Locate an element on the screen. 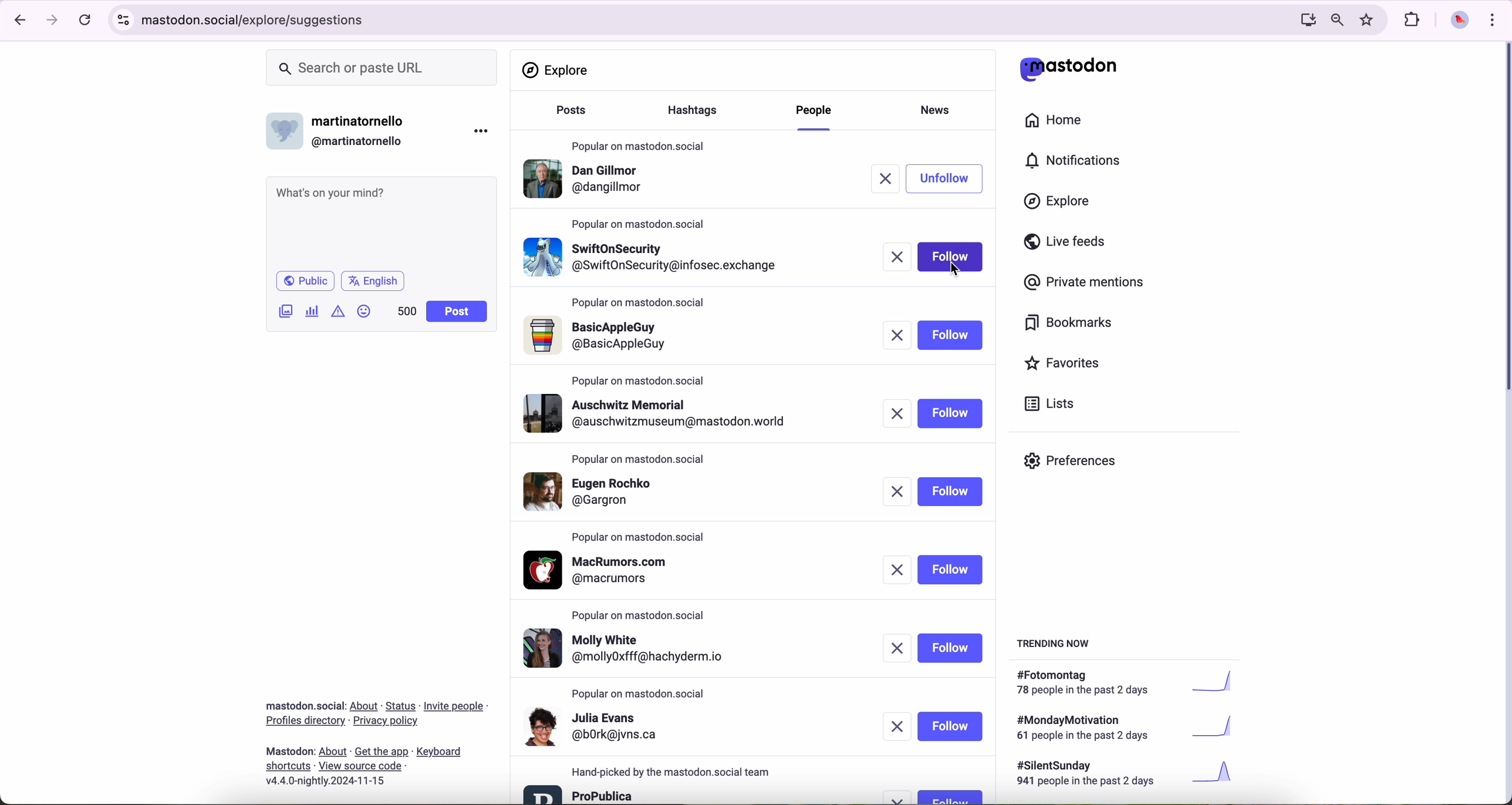 The image size is (1512, 805). scroll bar is located at coordinates (1503, 220).